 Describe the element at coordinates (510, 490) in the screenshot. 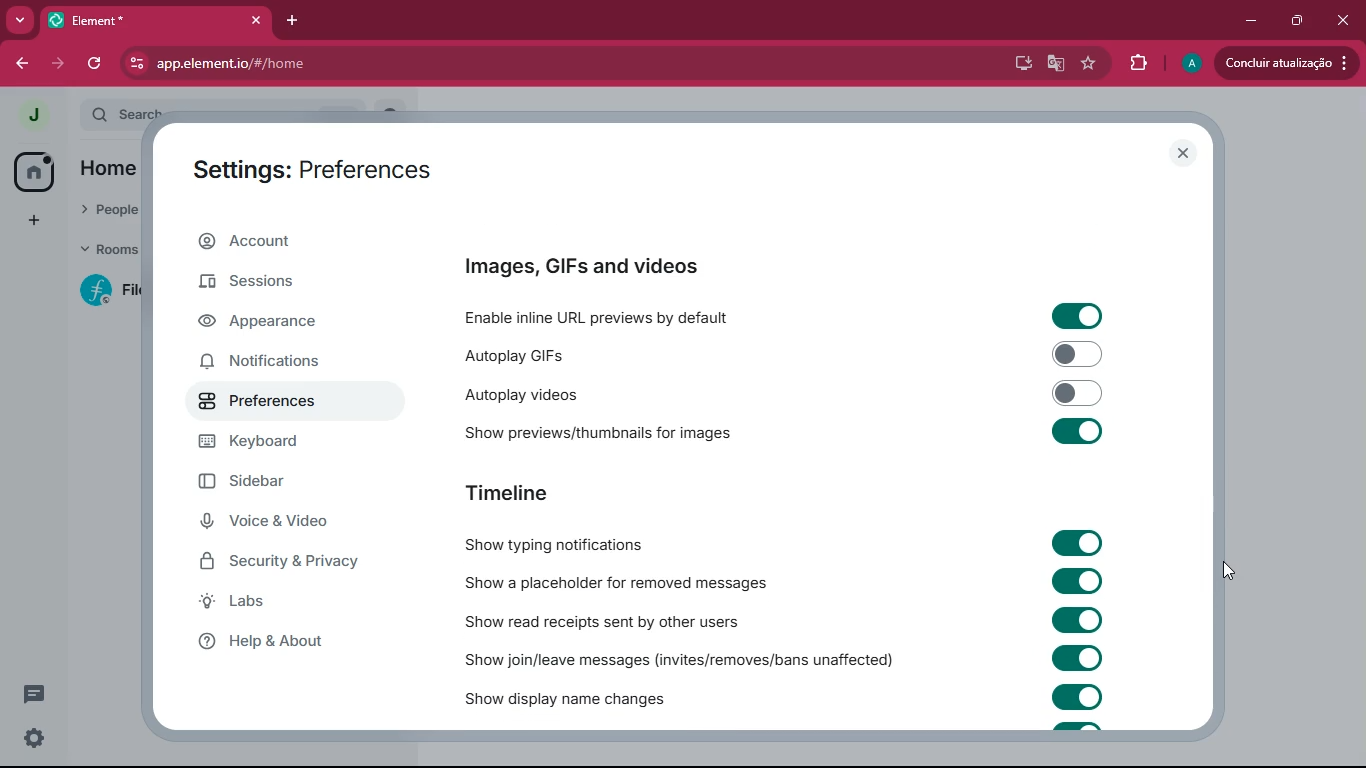

I see `timeline` at that location.